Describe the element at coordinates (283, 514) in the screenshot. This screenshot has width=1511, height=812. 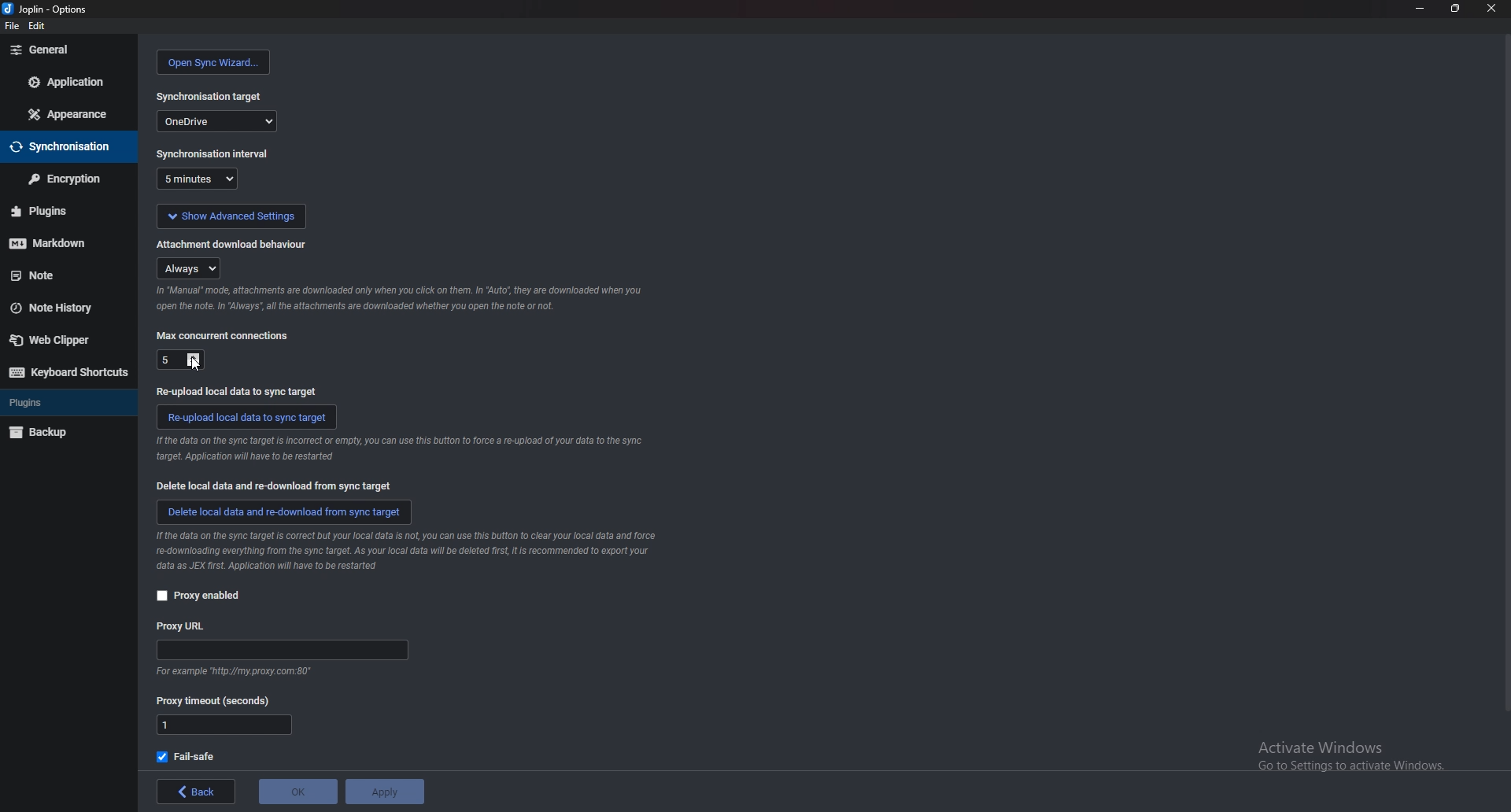
I see `delete local data and redownload` at that location.